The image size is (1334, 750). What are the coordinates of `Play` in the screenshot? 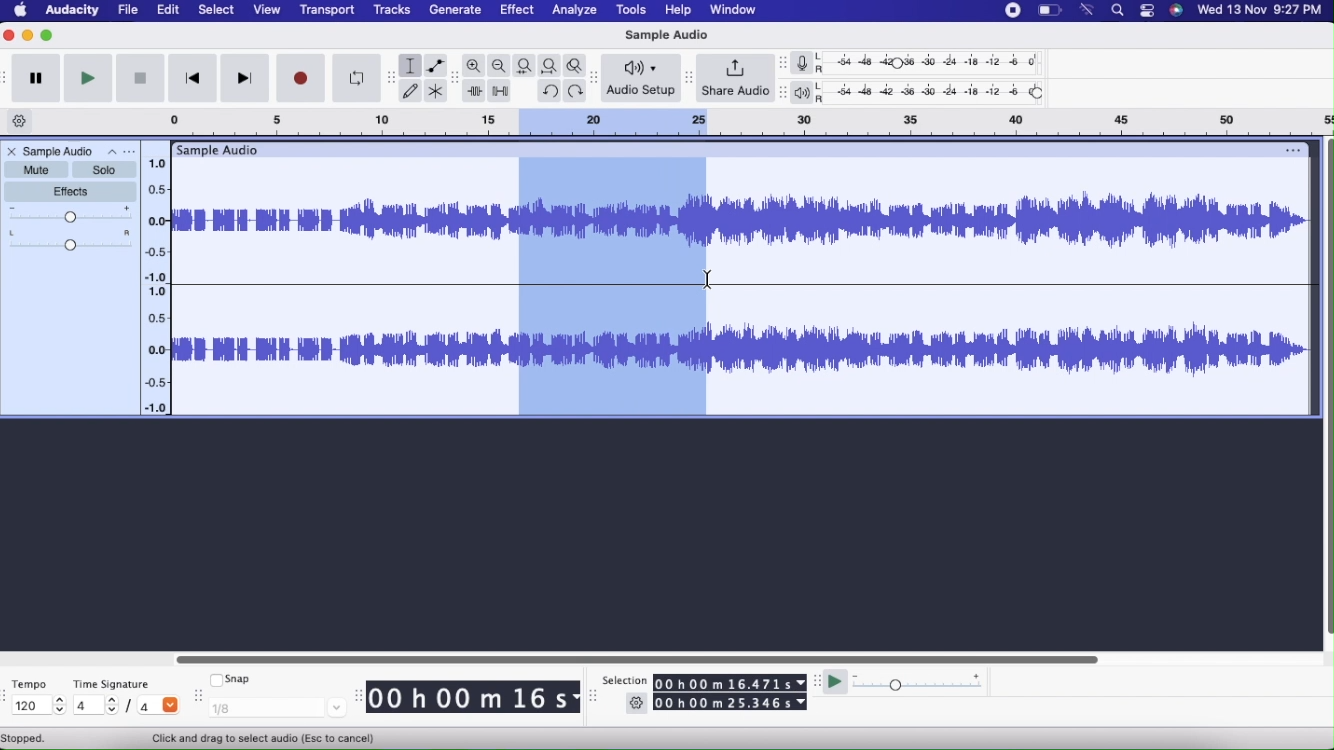 It's located at (87, 78).